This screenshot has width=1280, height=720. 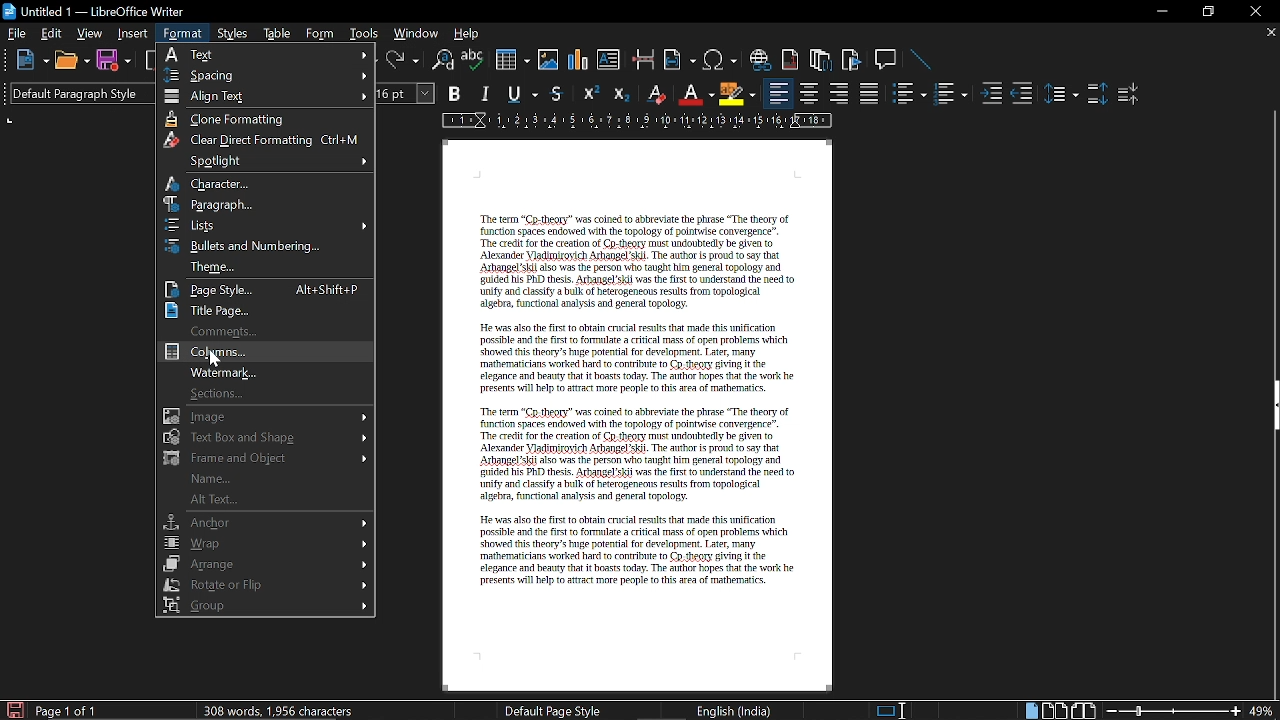 What do you see at coordinates (264, 457) in the screenshot?
I see `Frame an object` at bounding box center [264, 457].